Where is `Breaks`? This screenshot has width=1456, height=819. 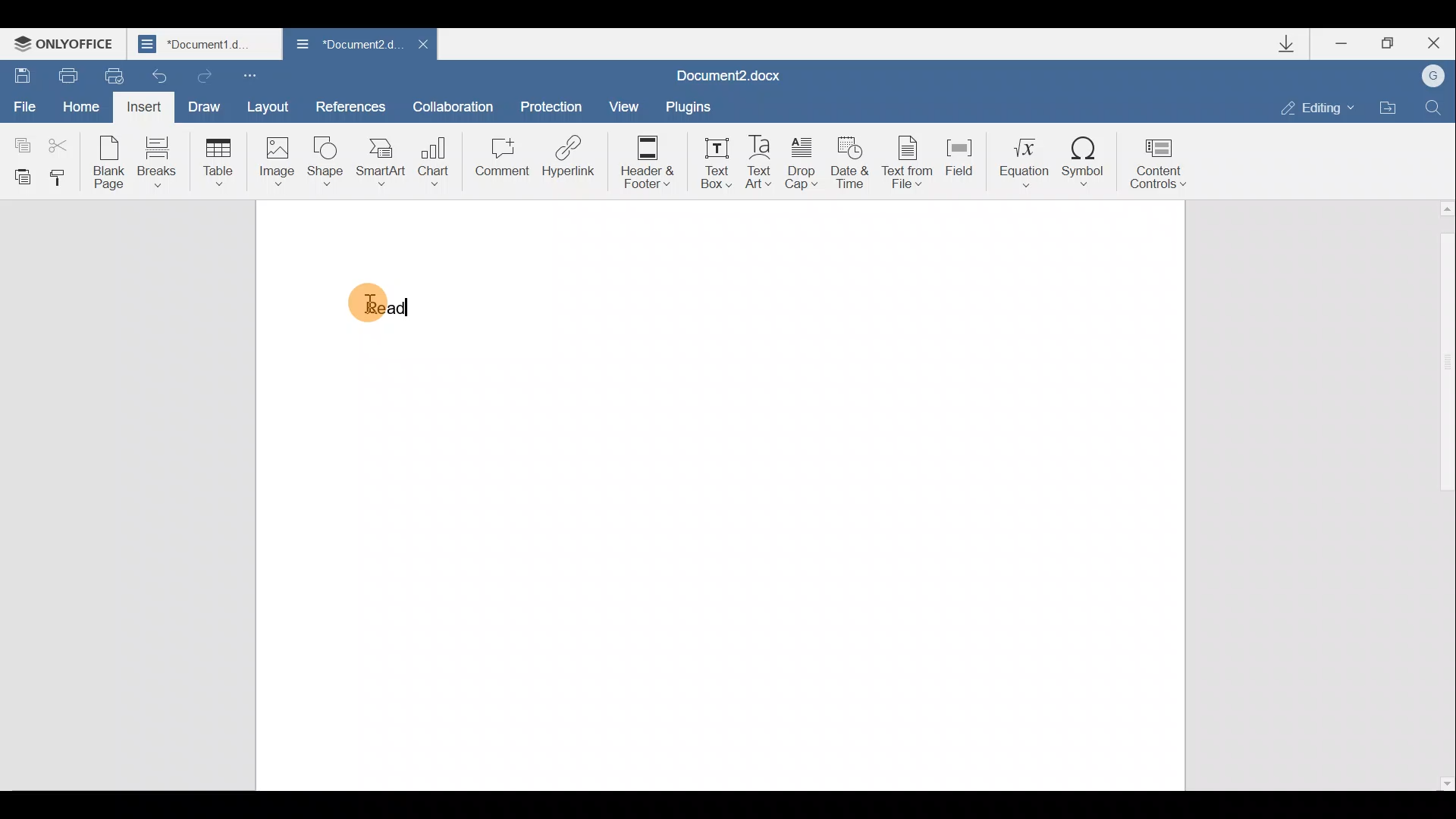 Breaks is located at coordinates (158, 161).